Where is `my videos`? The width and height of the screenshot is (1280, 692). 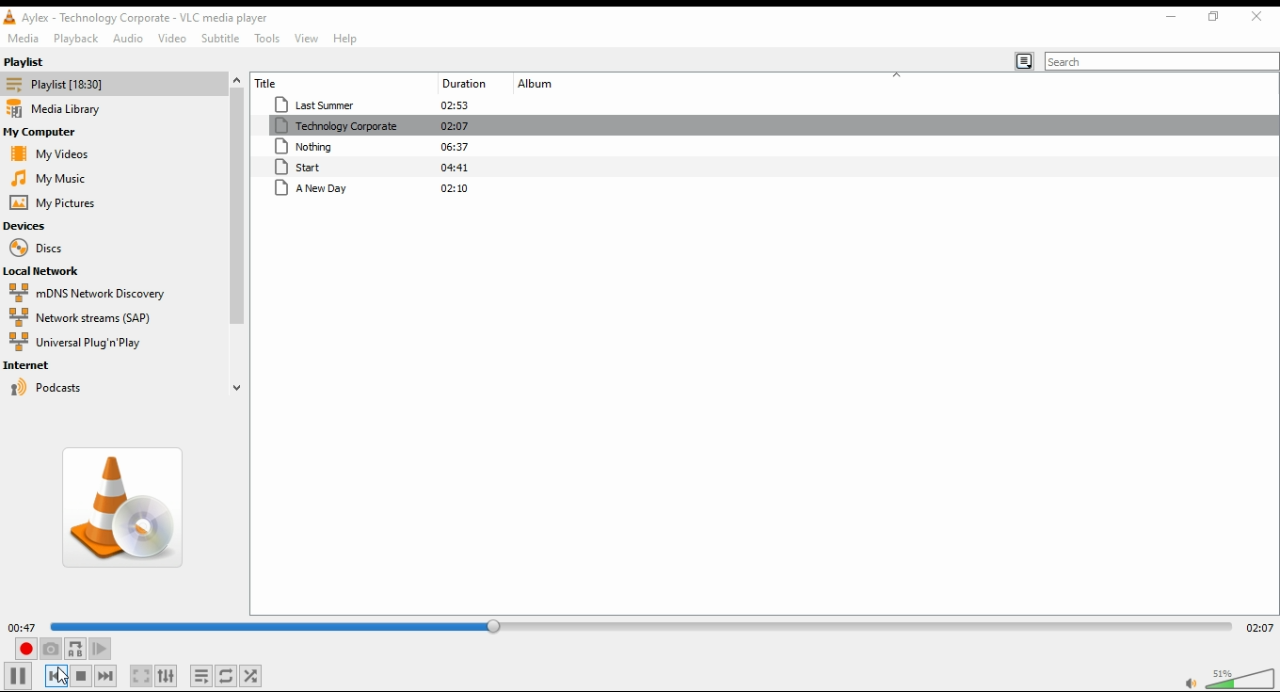 my videos is located at coordinates (56, 153).